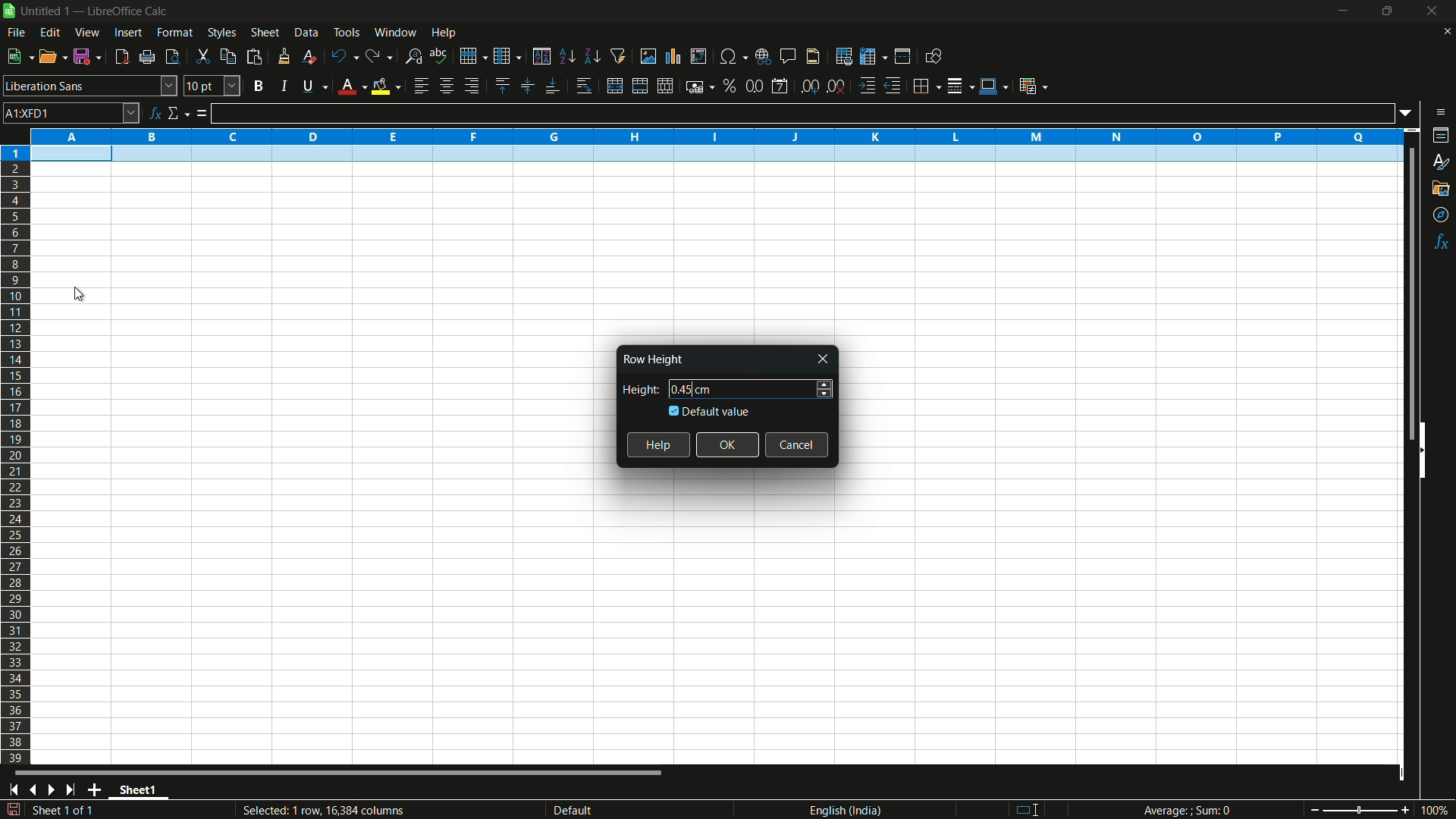  Describe the element at coordinates (98, 789) in the screenshot. I see `add sheet` at that location.